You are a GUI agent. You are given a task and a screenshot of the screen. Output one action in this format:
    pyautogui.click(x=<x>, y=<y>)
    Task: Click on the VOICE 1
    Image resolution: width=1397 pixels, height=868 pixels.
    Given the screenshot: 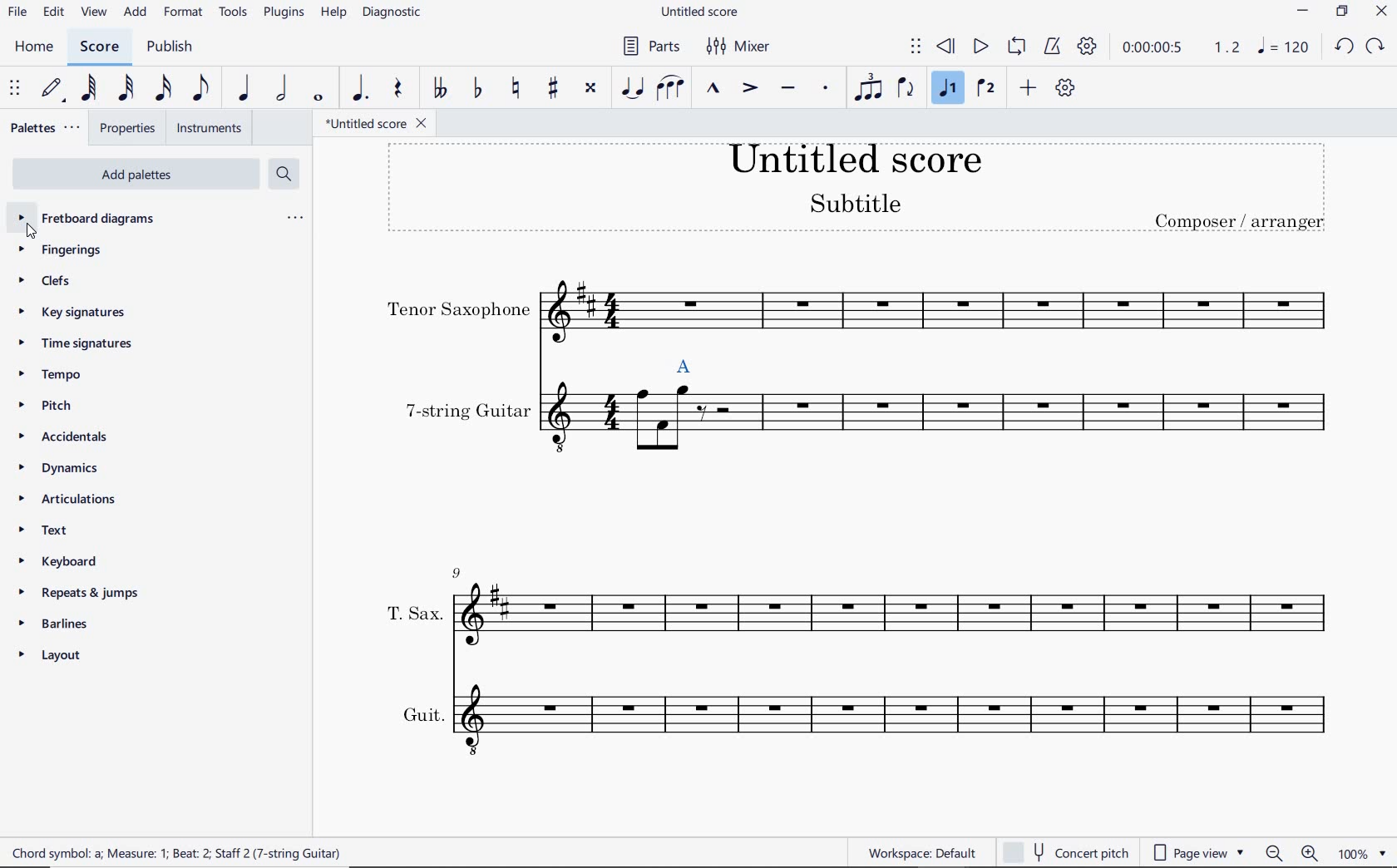 What is the action you would take?
    pyautogui.click(x=946, y=89)
    